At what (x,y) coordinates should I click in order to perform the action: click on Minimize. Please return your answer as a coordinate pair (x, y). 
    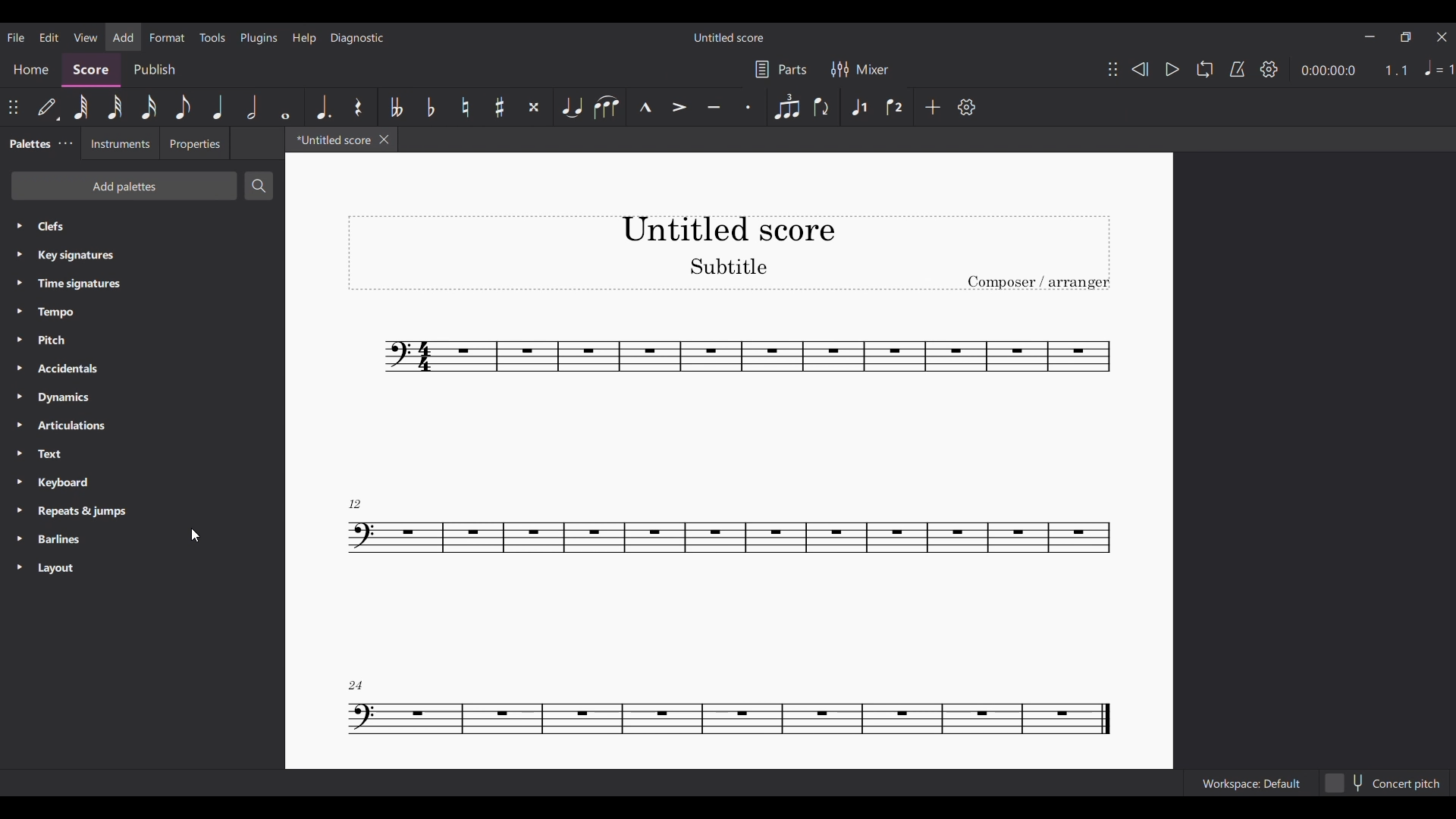
    Looking at the image, I should click on (1369, 36).